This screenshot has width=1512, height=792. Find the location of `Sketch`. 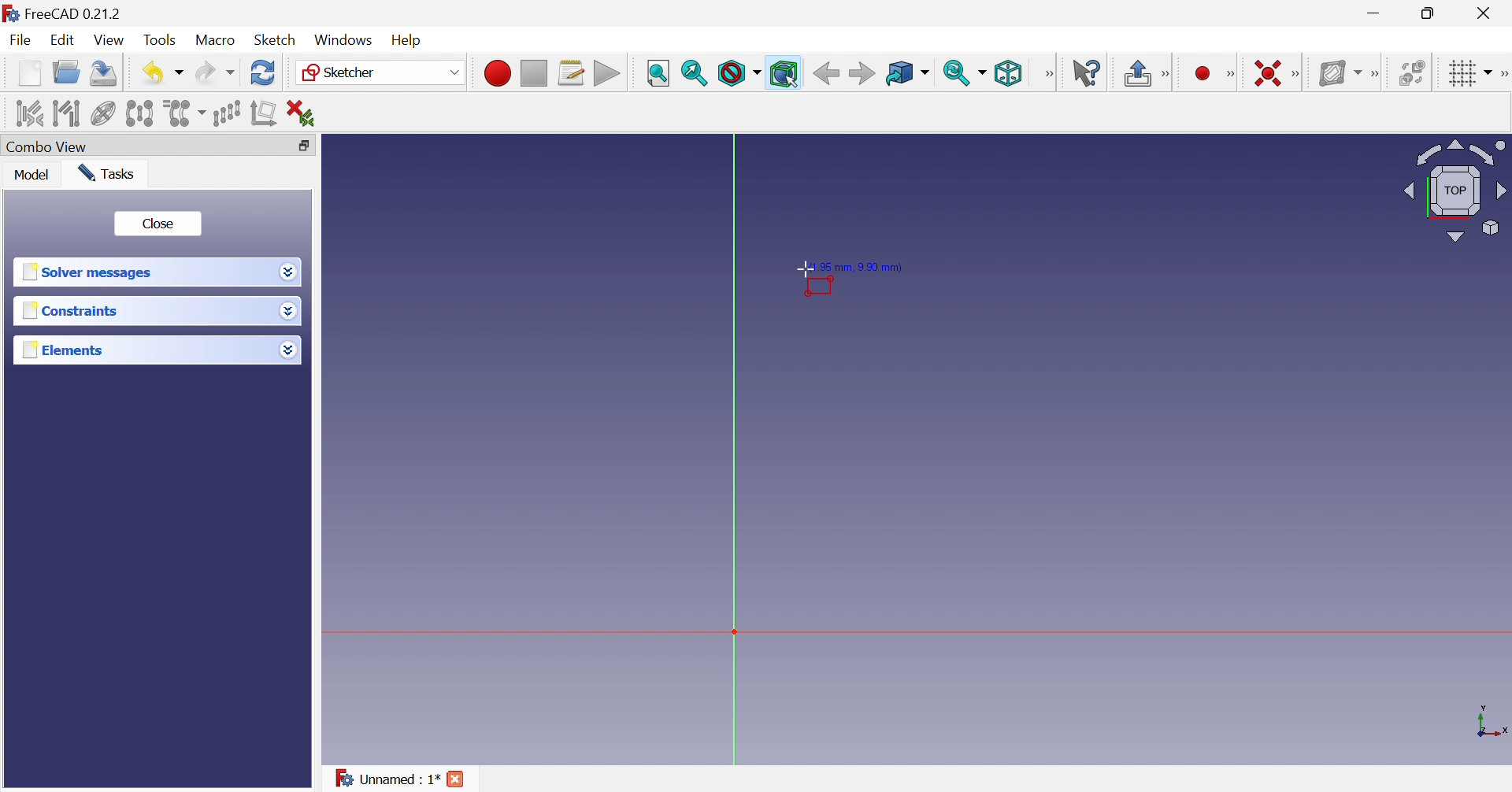

Sketch is located at coordinates (277, 39).